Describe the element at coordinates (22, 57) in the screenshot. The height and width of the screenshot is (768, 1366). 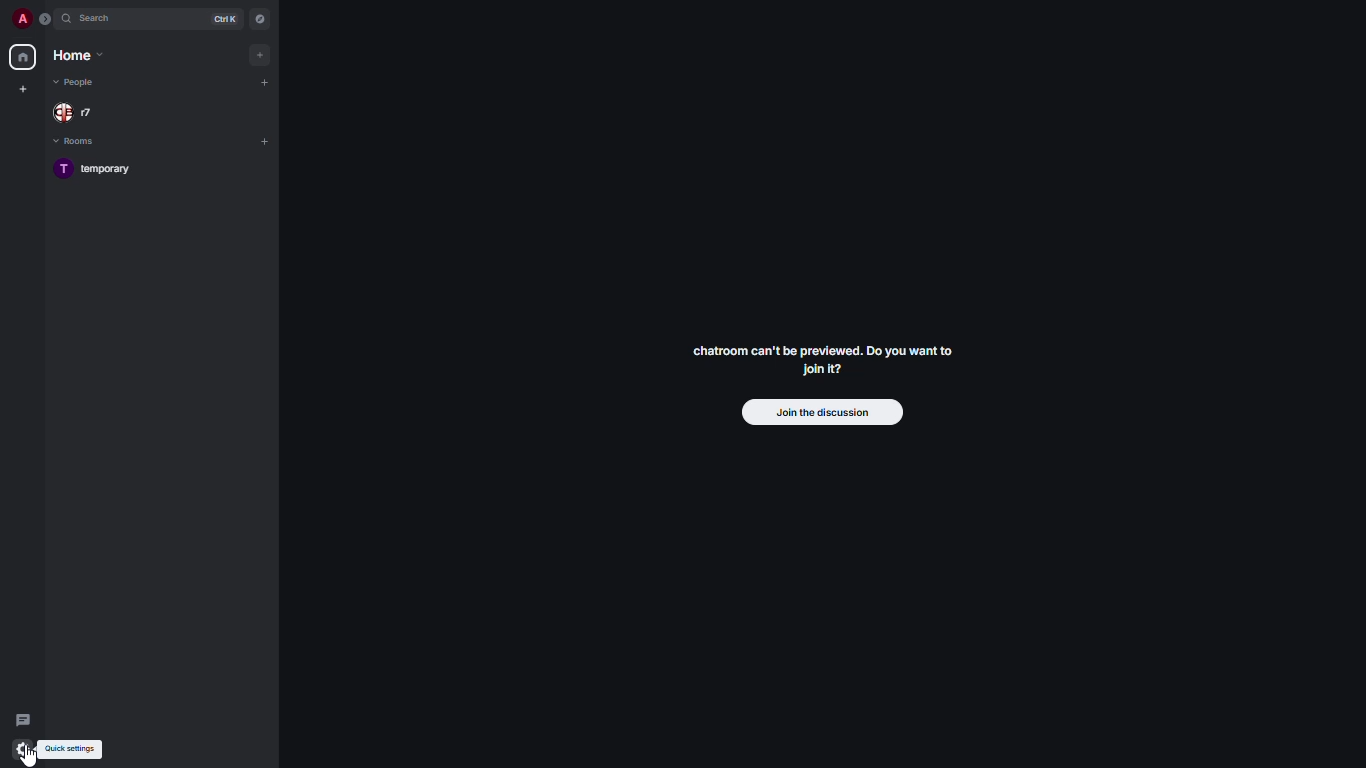
I see `home` at that location.